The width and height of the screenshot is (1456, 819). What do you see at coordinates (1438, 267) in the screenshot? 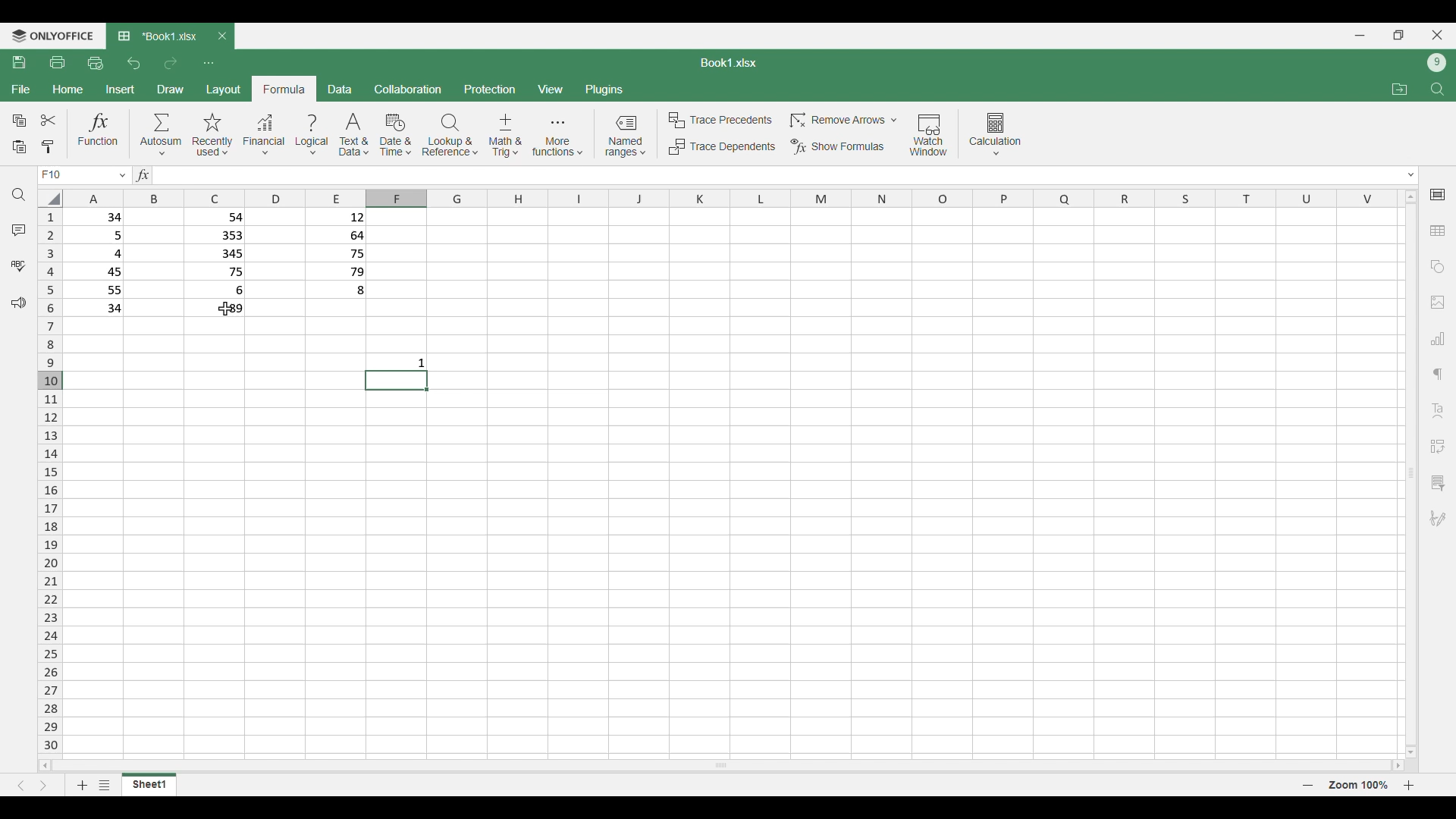
I see `Insert shapes` at bounding box center [1438, 267].